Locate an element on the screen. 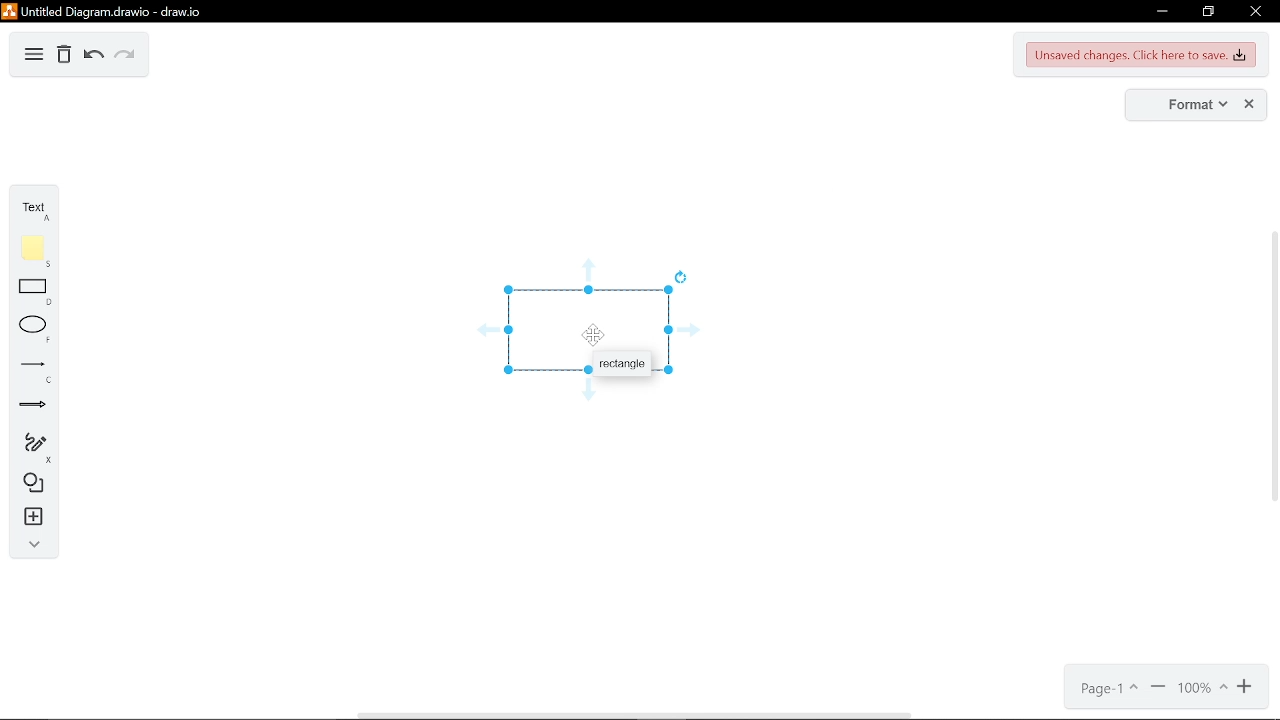  diagram is located at coordinates (34, 56).